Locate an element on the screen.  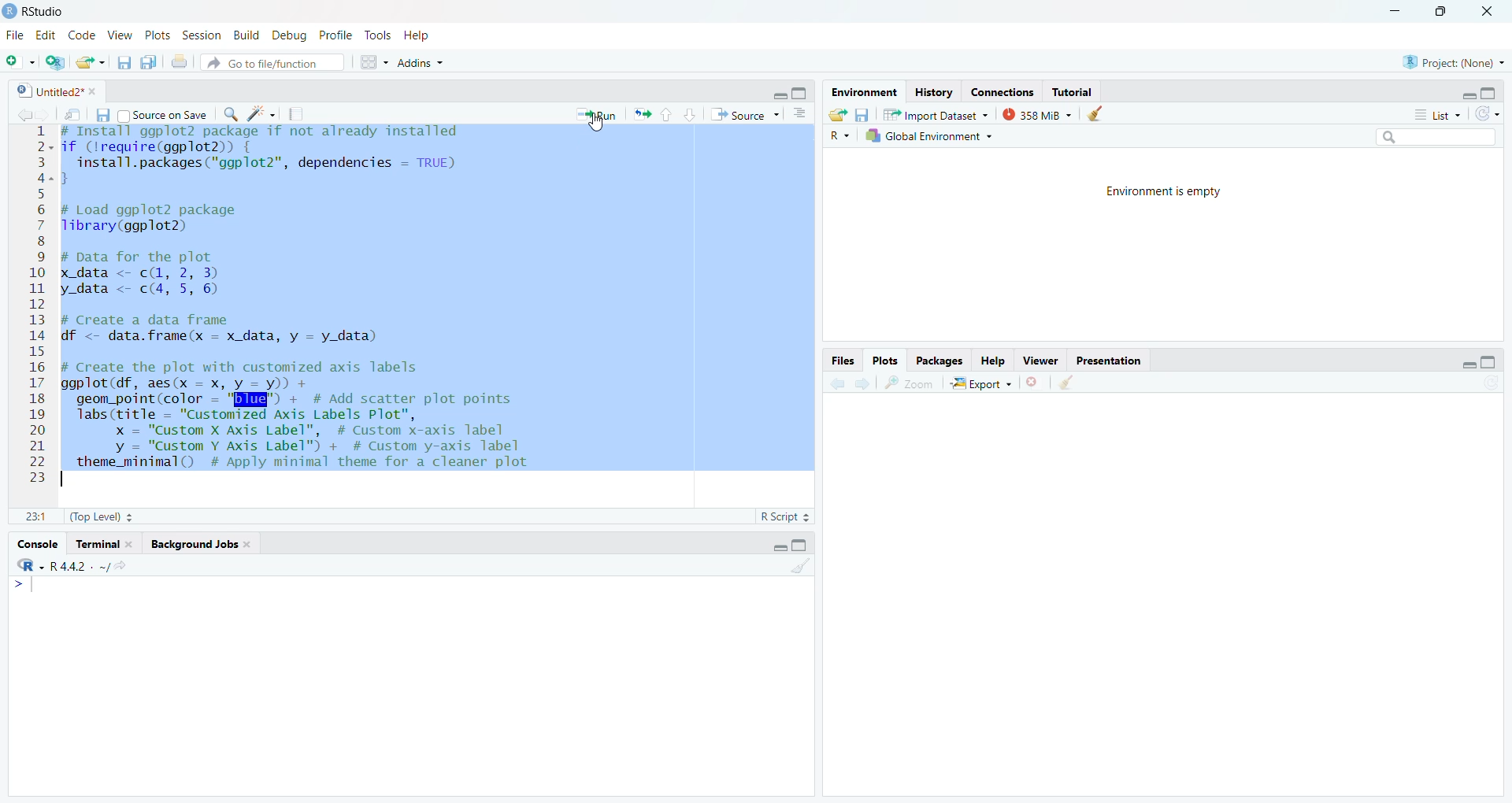
maximise is located at coordinates (806, 546).